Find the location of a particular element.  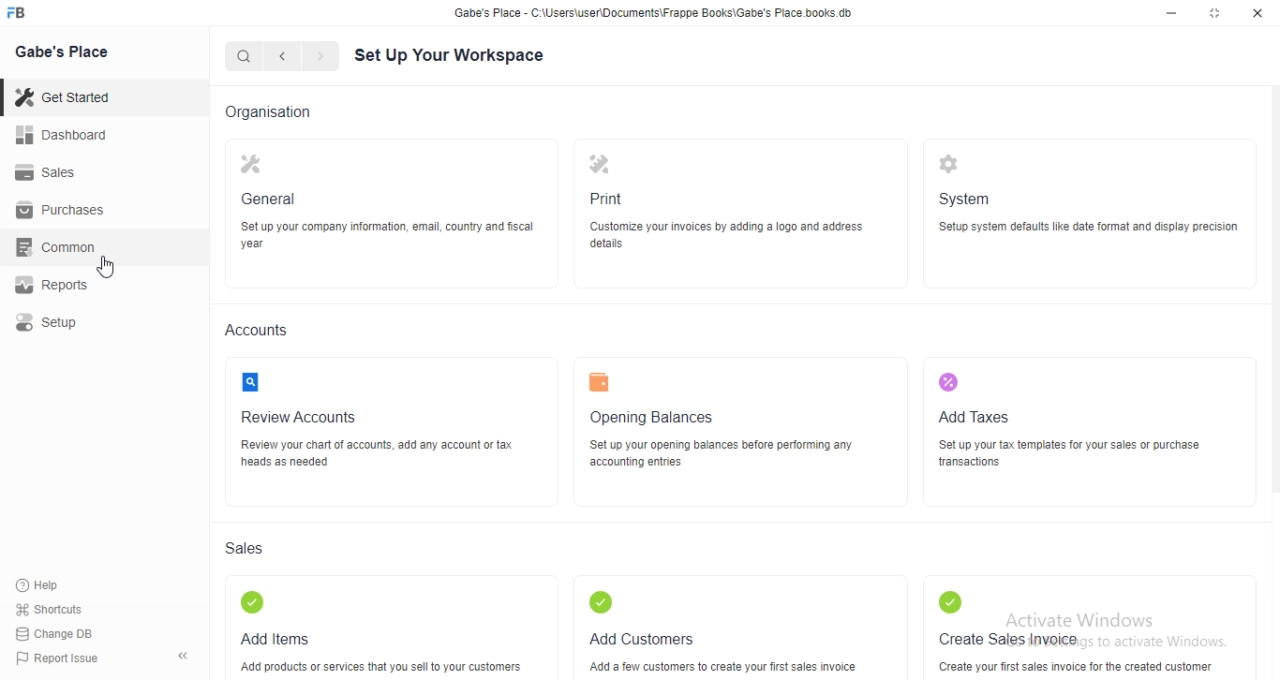

Review your chart of accounts, add any account or tax
oats as nested is located at coordinates (374, 452).